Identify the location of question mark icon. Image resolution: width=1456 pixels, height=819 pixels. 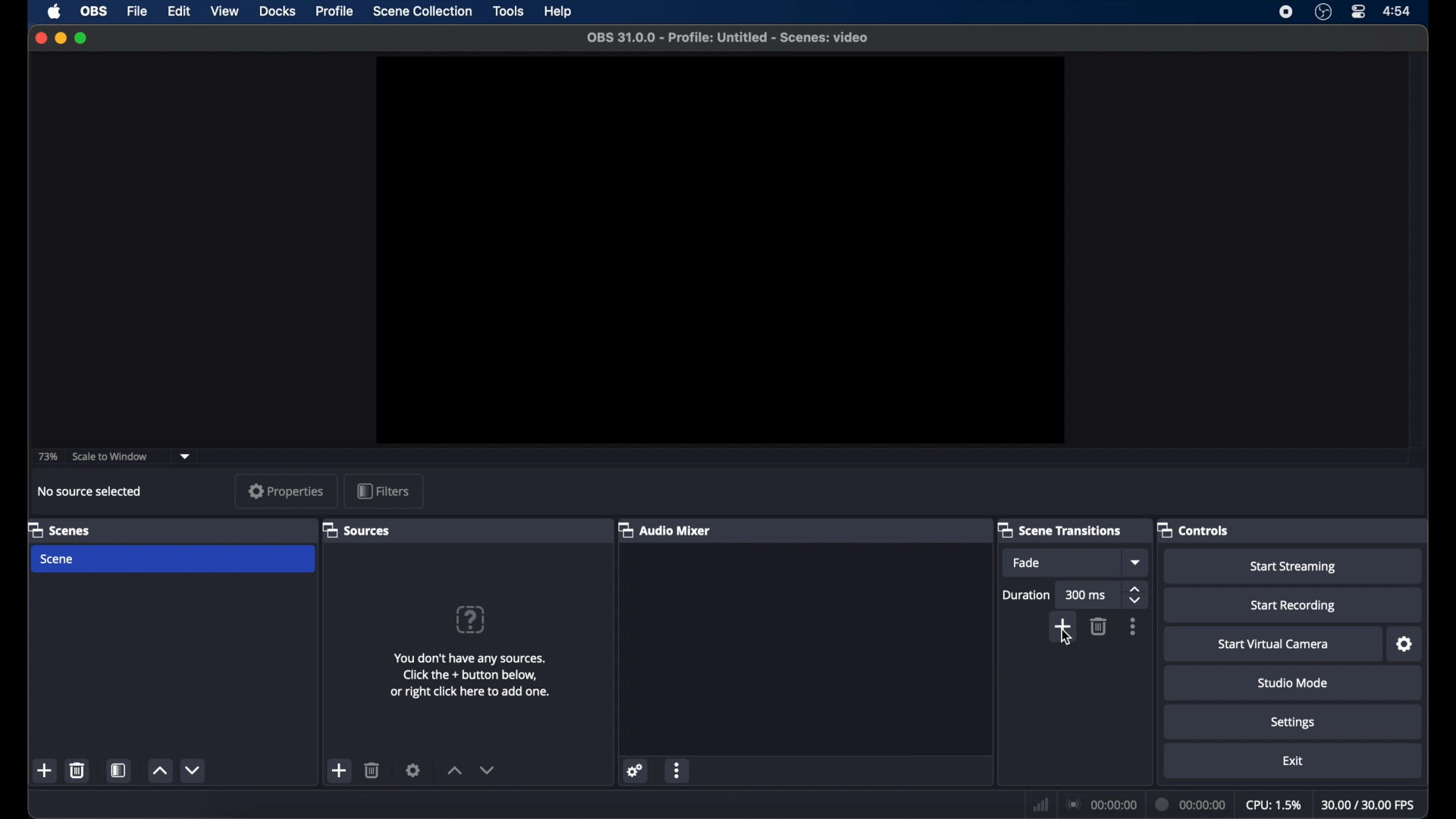
(472, 620).